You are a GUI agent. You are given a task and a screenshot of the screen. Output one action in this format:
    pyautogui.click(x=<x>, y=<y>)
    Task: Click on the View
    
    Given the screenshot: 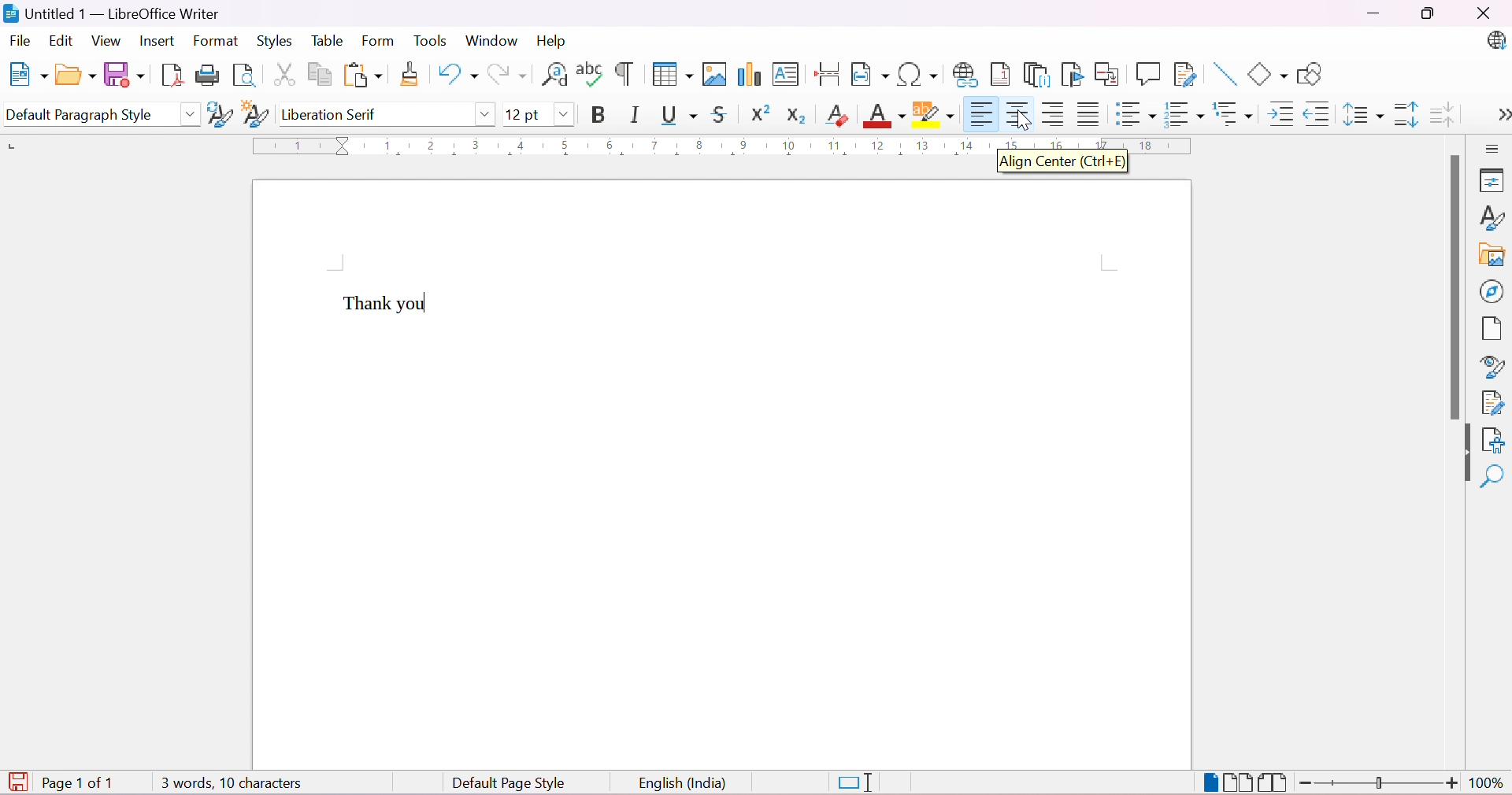 What is the action you would take?
    pyautogui.click(x=107, y=39)
    